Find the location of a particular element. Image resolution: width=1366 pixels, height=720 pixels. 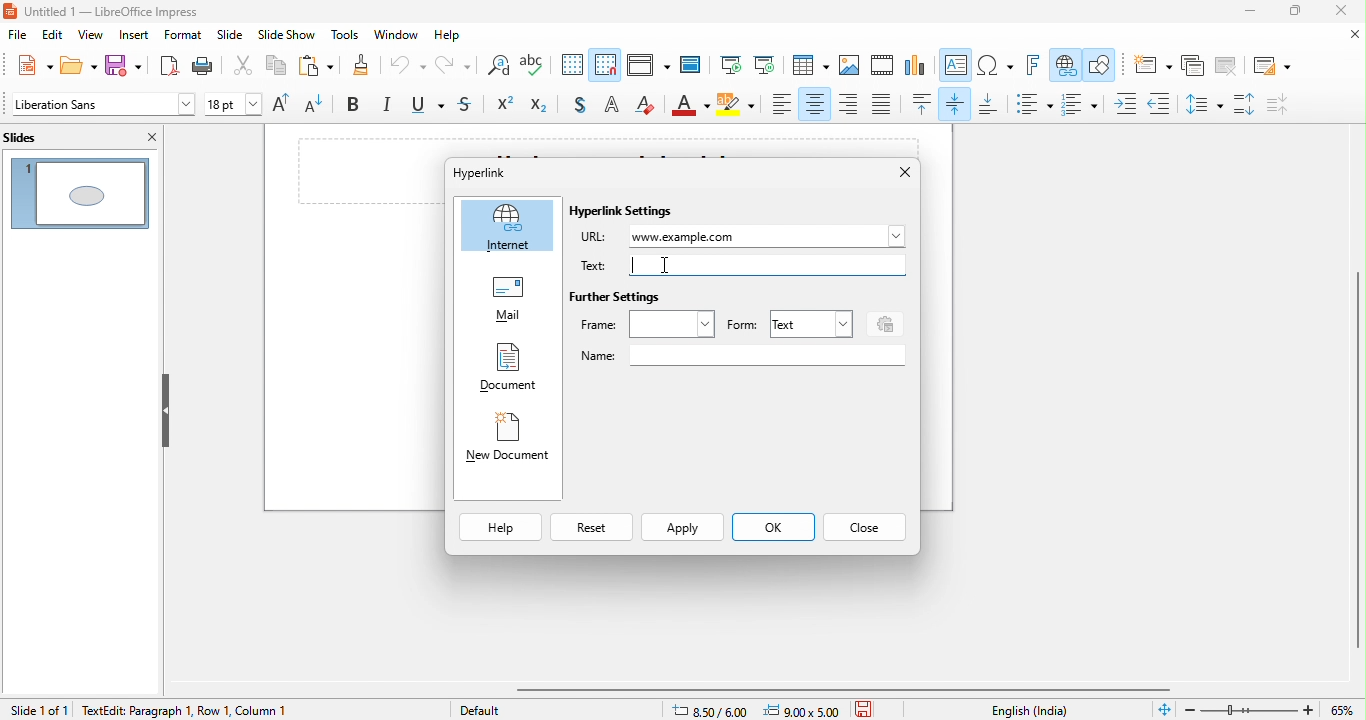

apply outline attribute to font is located at coordinates (611, 107).